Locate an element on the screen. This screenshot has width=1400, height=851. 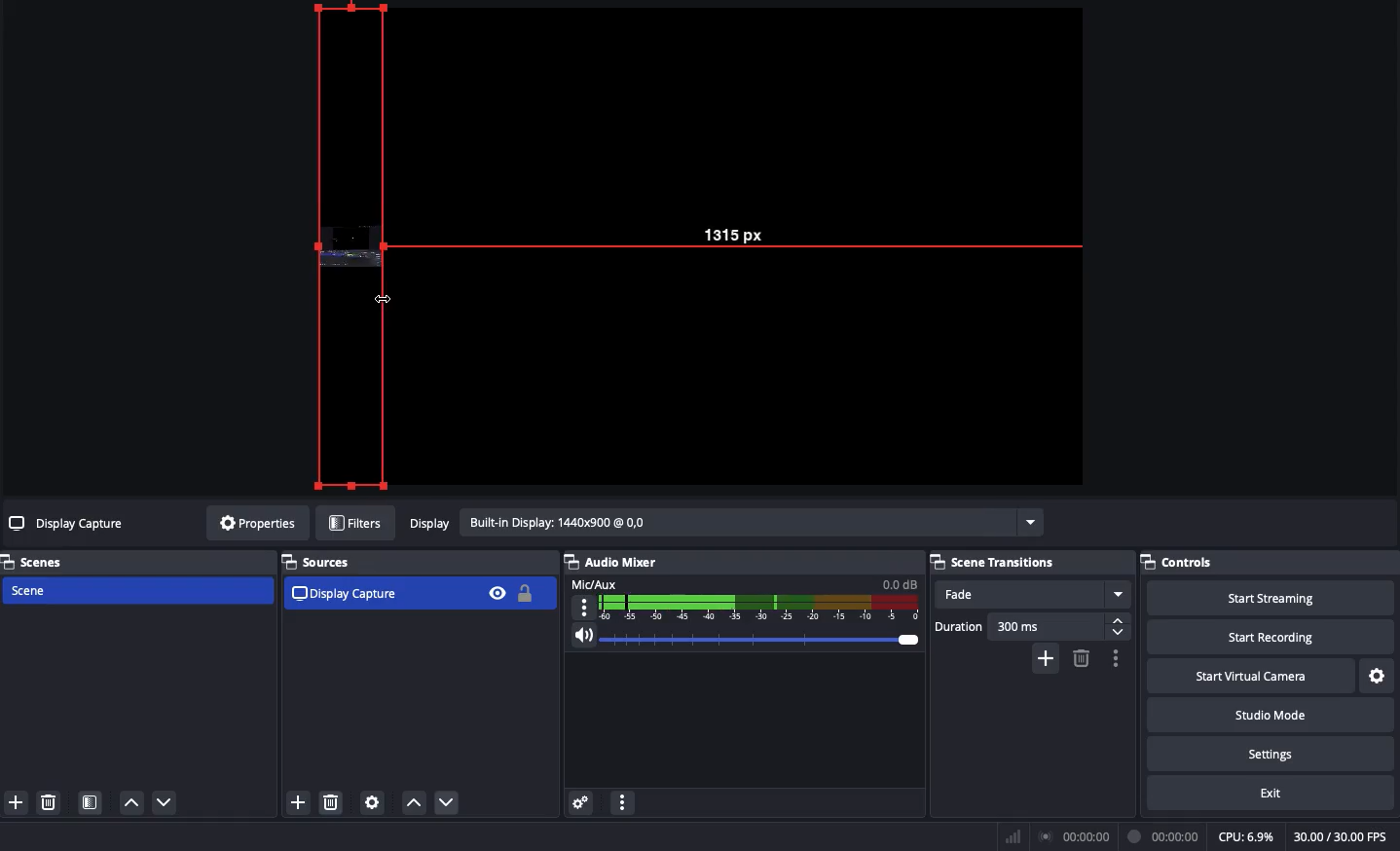
Exit is located at coordinates (1273, 792).